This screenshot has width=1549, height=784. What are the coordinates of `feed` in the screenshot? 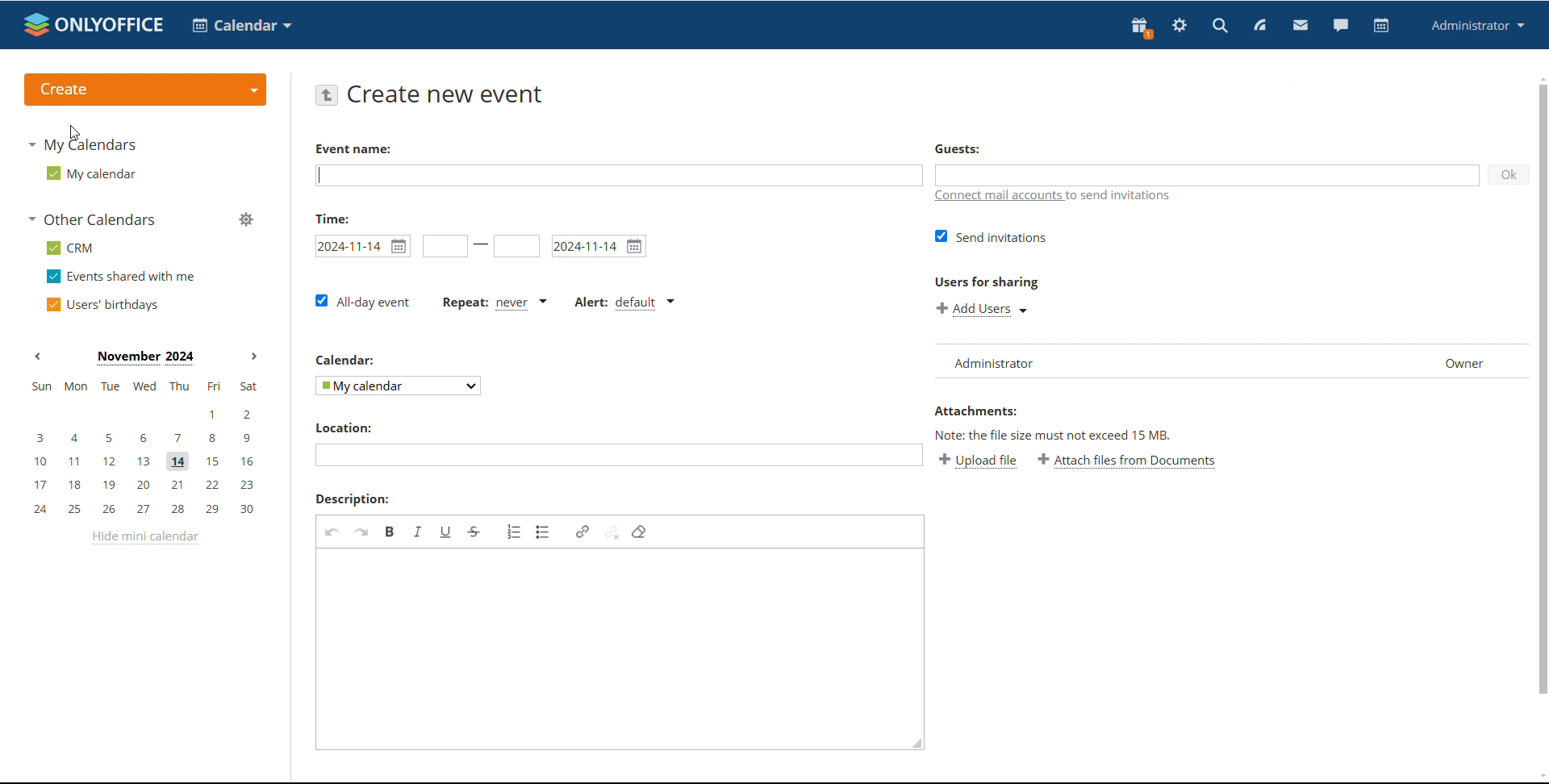 It's located at (1259, 25).